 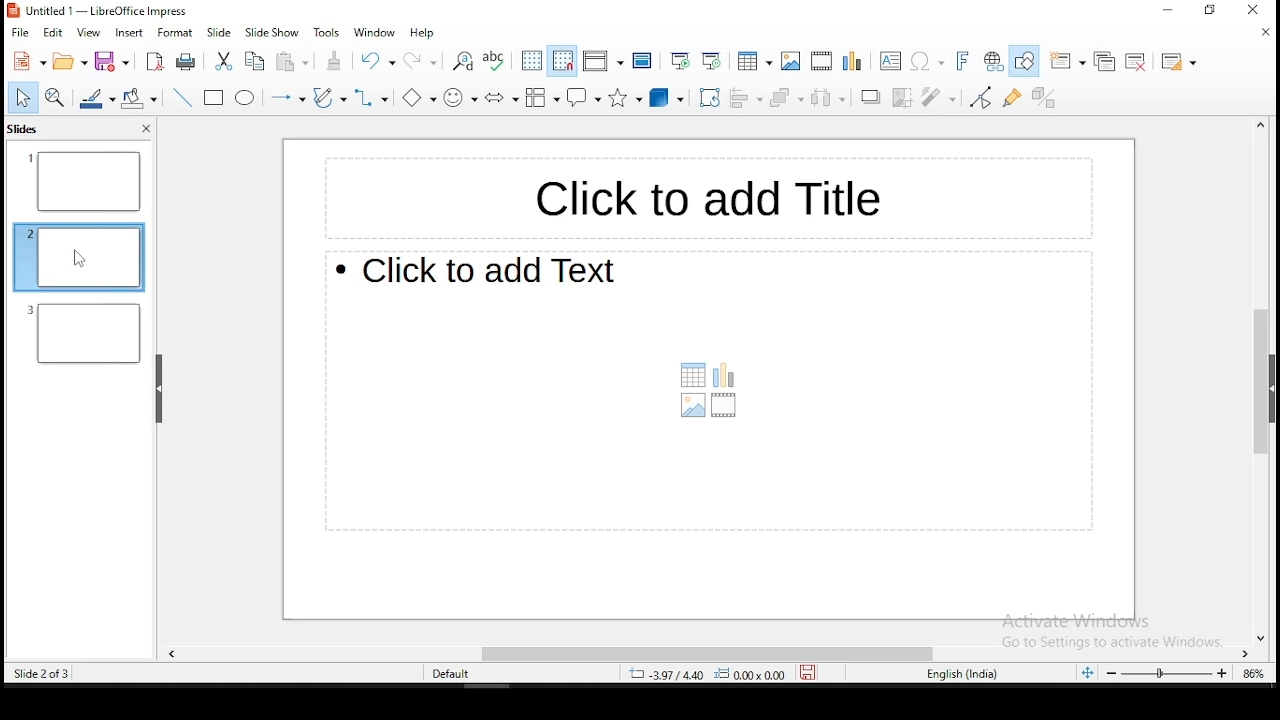 I want to click on mouse pointer, so click(x=79, y=259).